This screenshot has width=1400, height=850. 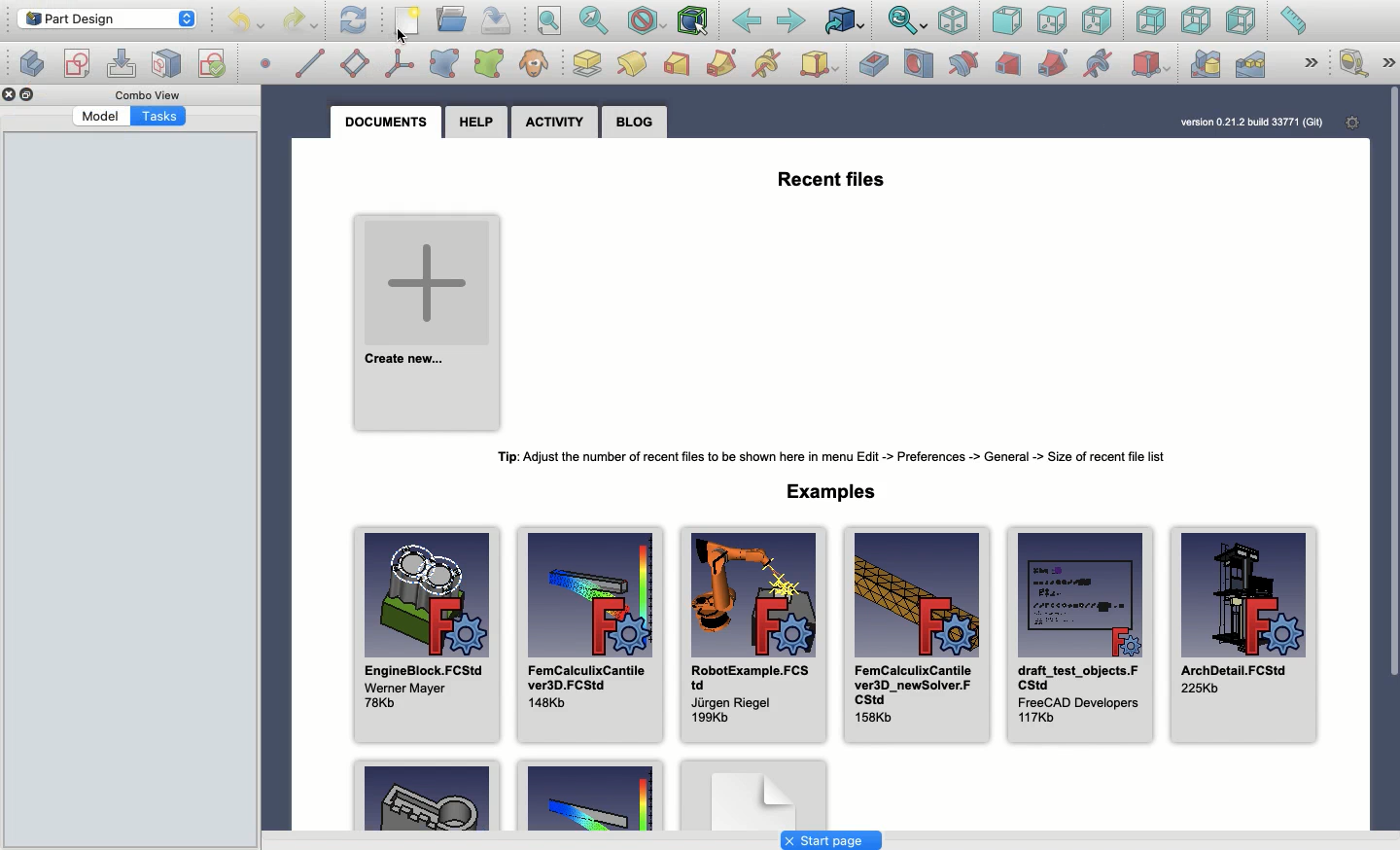 What do you see at coordinates (638, 121) in the screenshot?
I see `Blog` at bounding box center [638, 121].